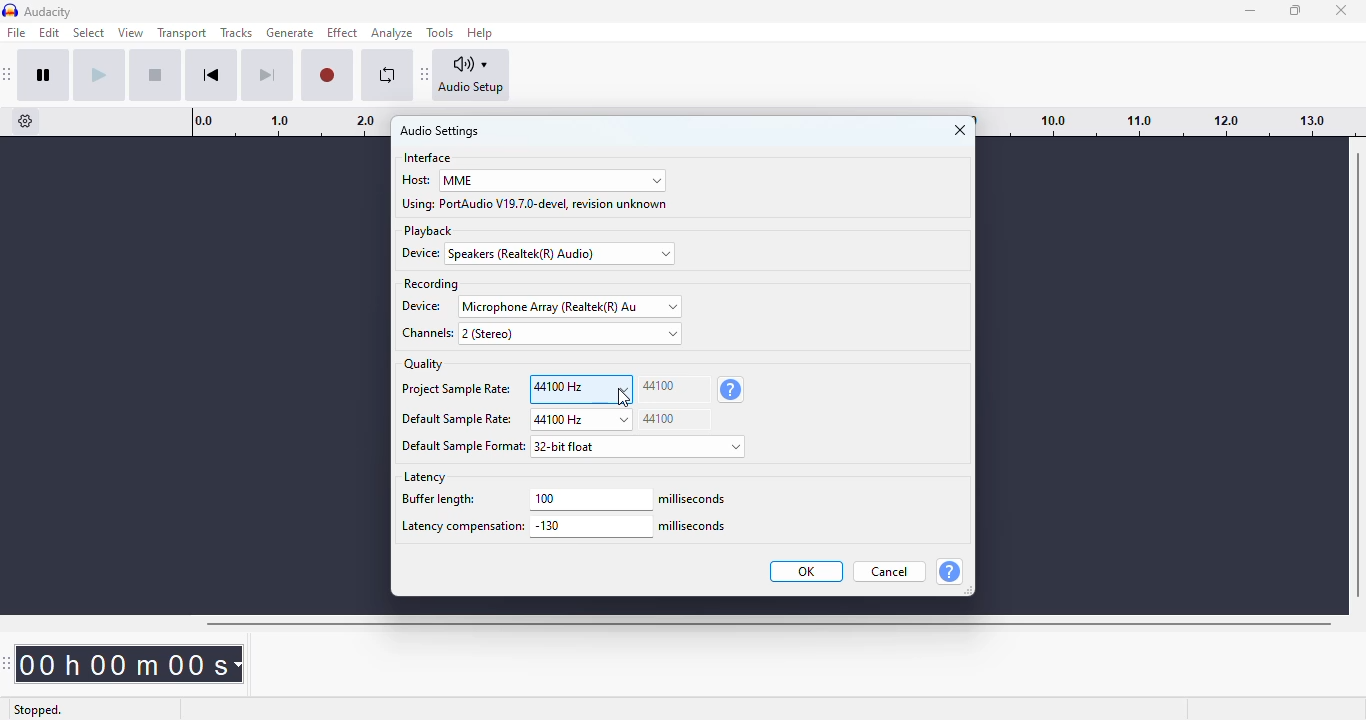 The width and height of the screenshot is (1366, 720). Describe the element at coordinates (552, 181) in the screenshot. I see `select host` at that location.